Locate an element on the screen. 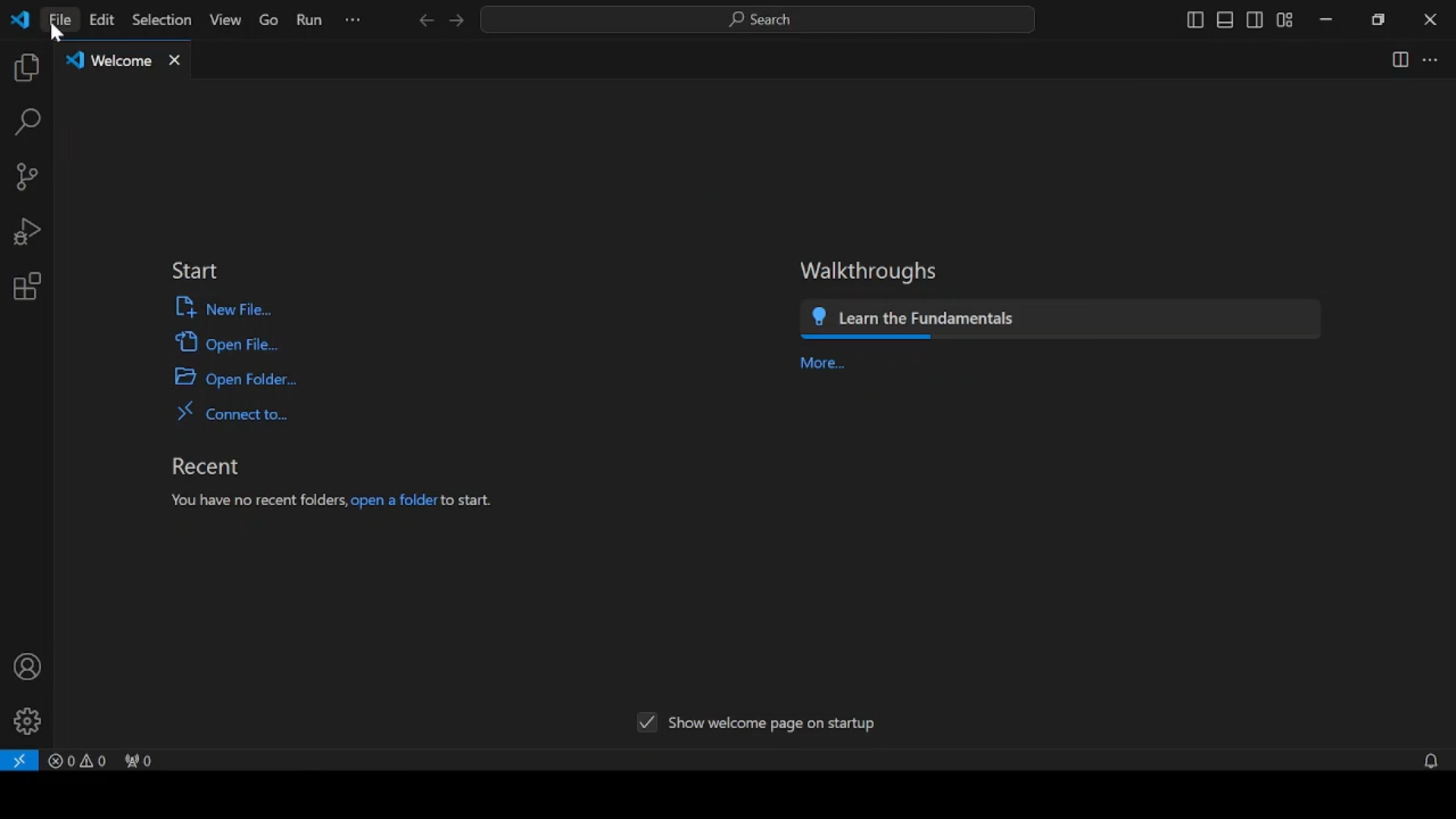 This screenshot has width=1456, height=819. run is located at coordinates (309, 20).